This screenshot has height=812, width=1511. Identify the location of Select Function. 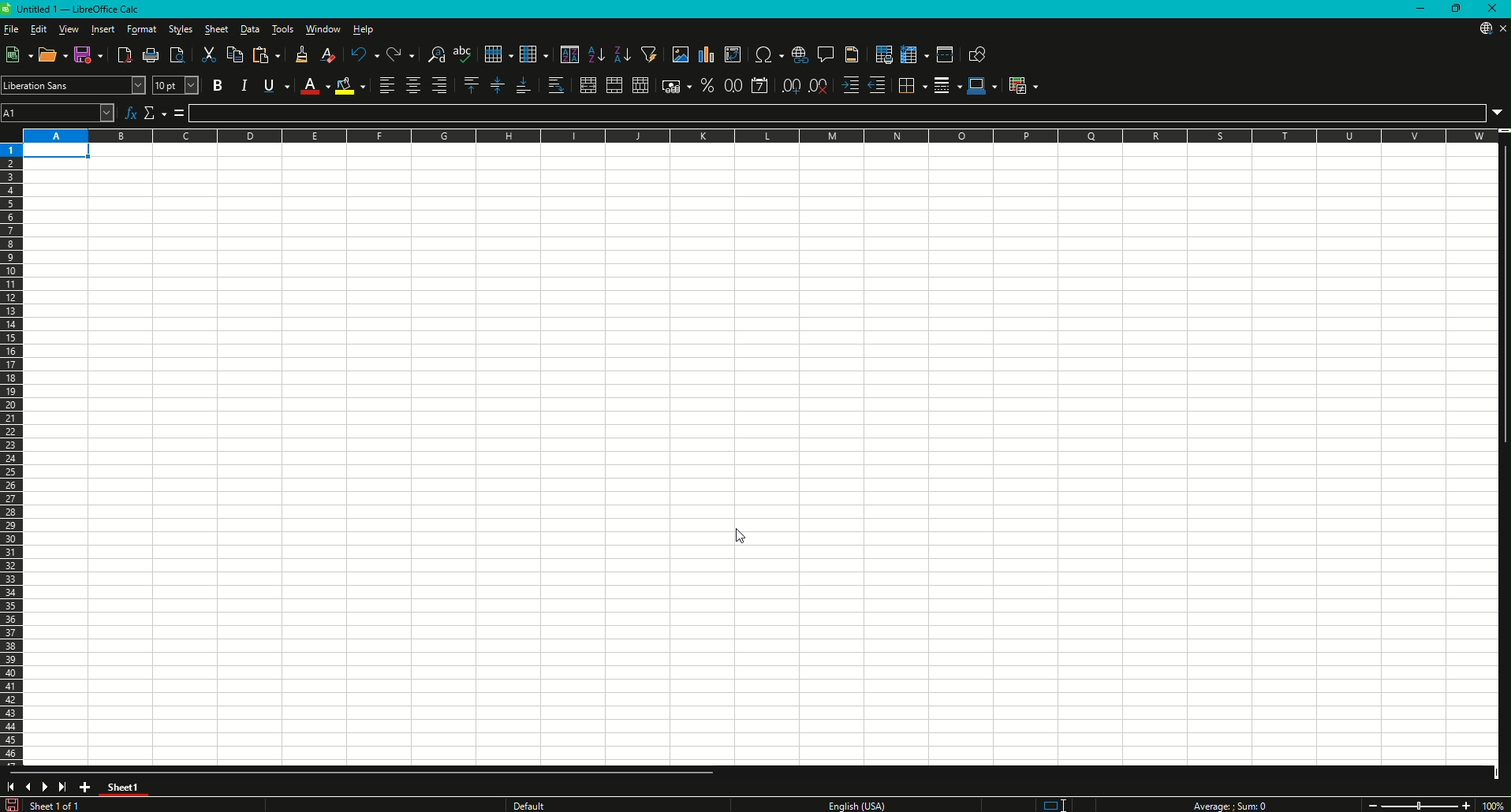
(155, 113).